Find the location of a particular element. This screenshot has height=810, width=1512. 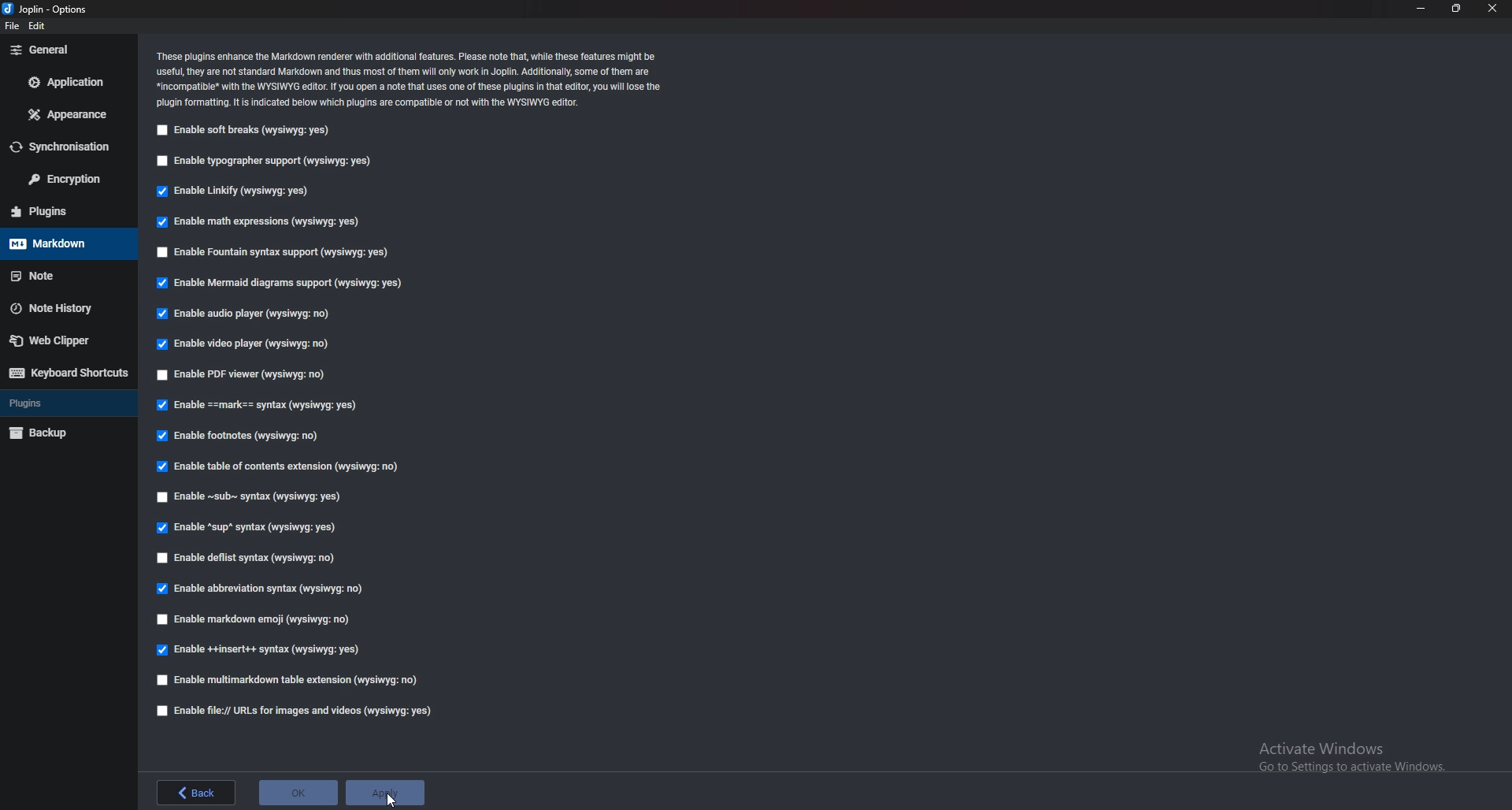

Info is located at coordinates (427, 78).